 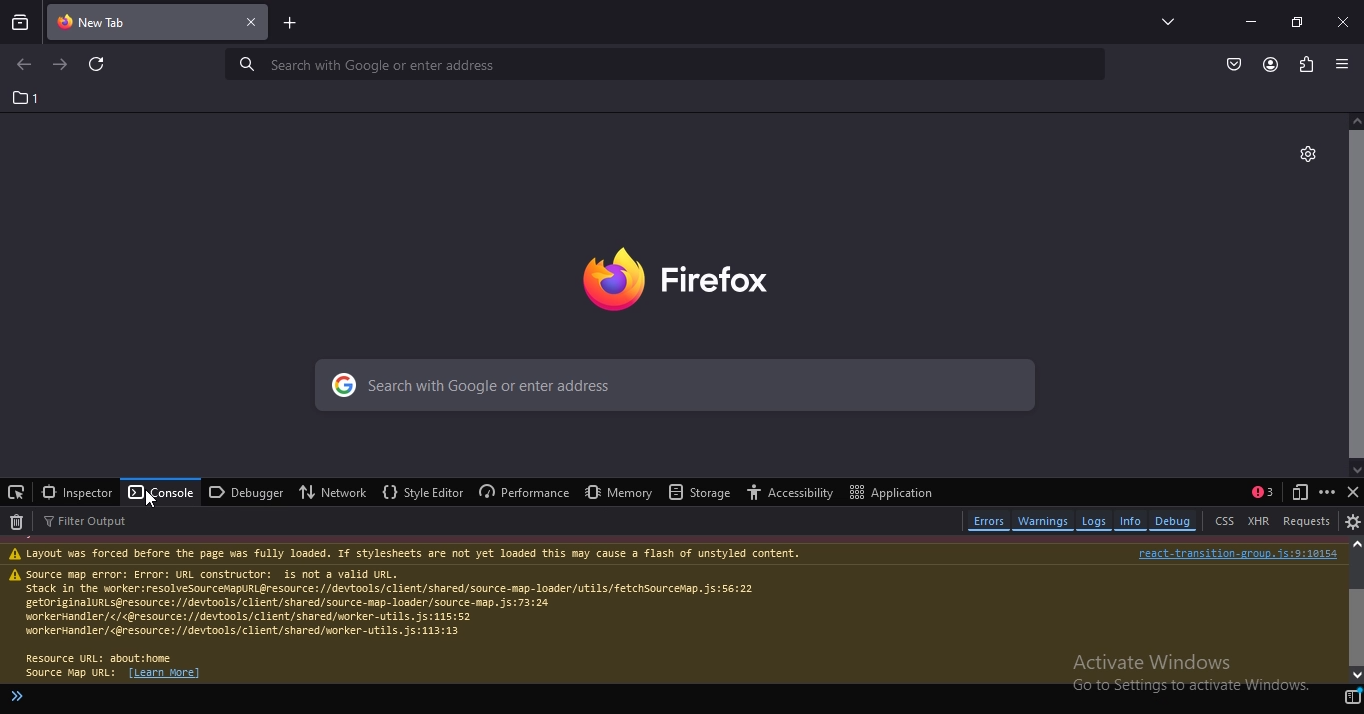 I want to click on console settings, so click(x=1353, y=521).